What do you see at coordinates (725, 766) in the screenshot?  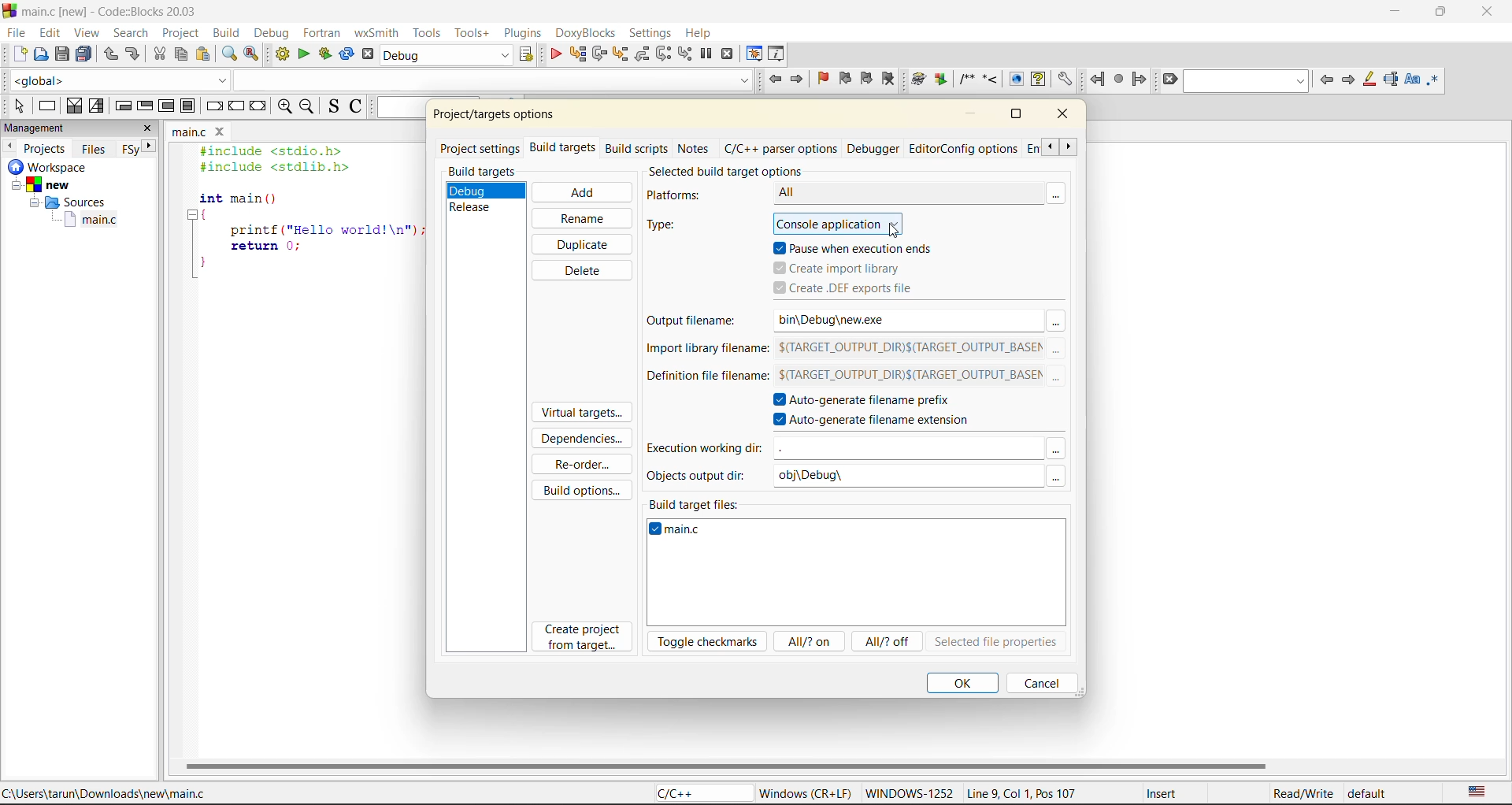 I see `horizontal scroll bar` at bounding box center [725, 766].